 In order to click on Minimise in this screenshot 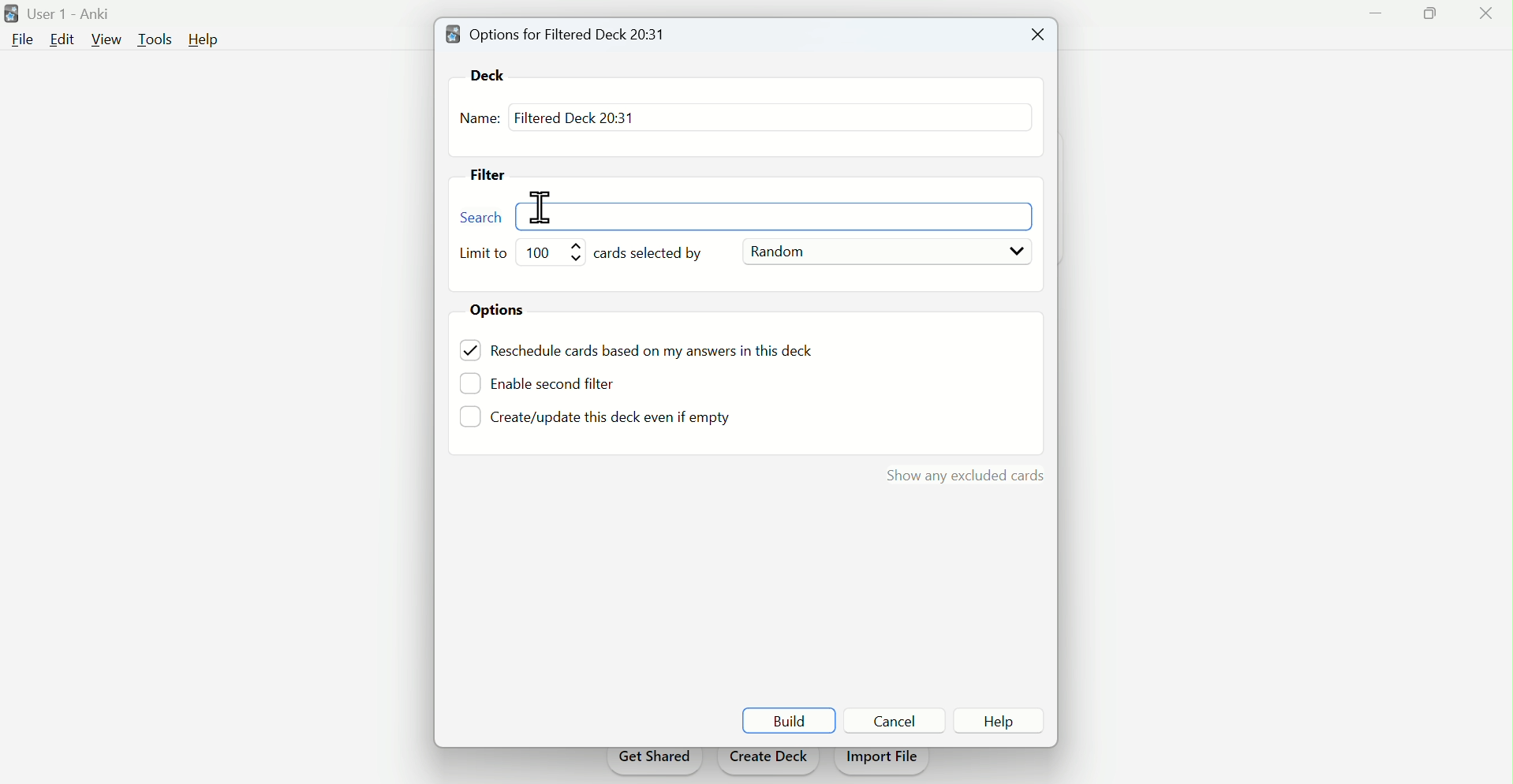, I will do `click(1376, 13)`.